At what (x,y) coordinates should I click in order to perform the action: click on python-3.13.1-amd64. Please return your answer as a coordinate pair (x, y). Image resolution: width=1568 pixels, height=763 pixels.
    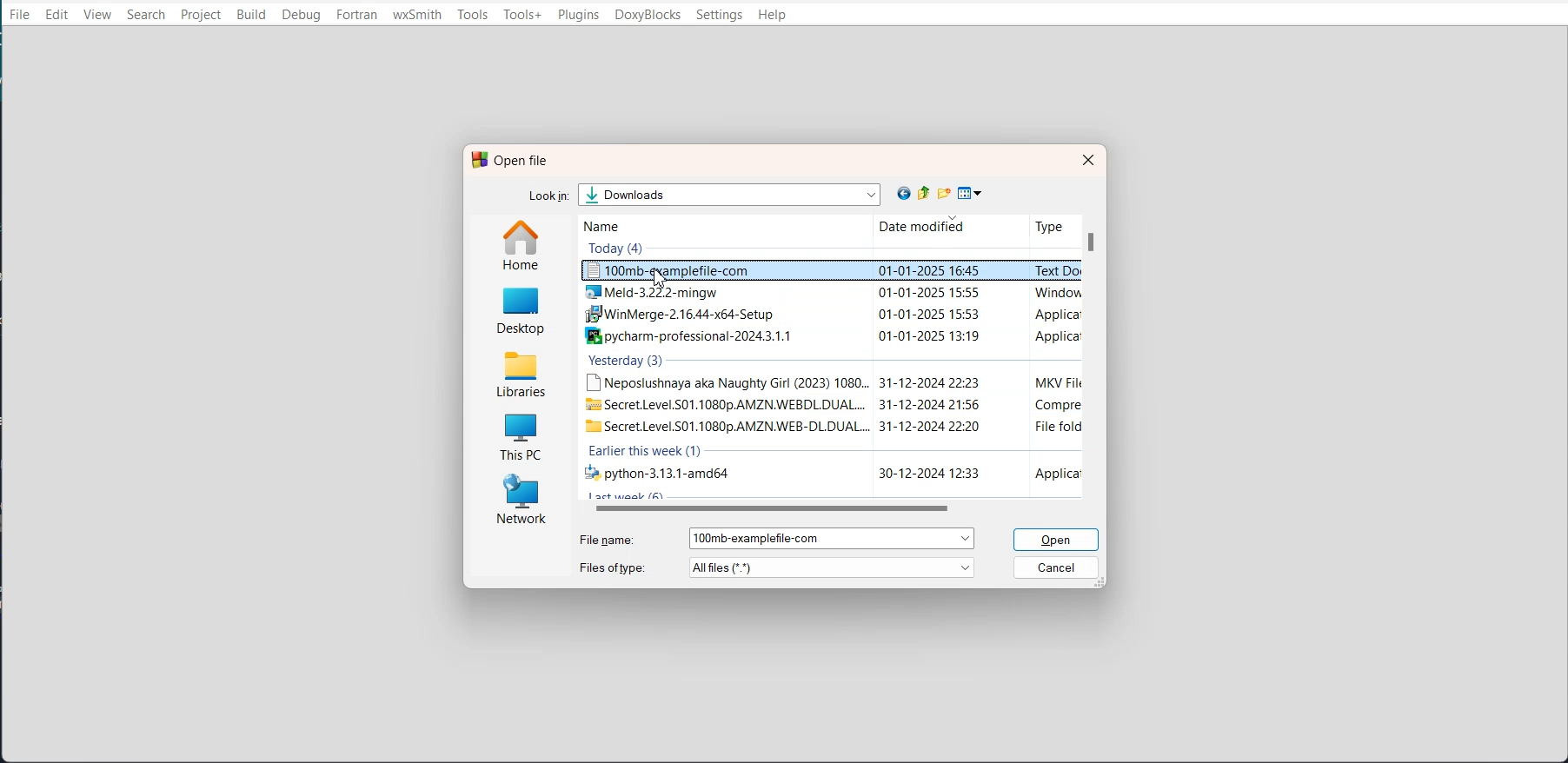
    Looking at the image, I should click on (827, 474).